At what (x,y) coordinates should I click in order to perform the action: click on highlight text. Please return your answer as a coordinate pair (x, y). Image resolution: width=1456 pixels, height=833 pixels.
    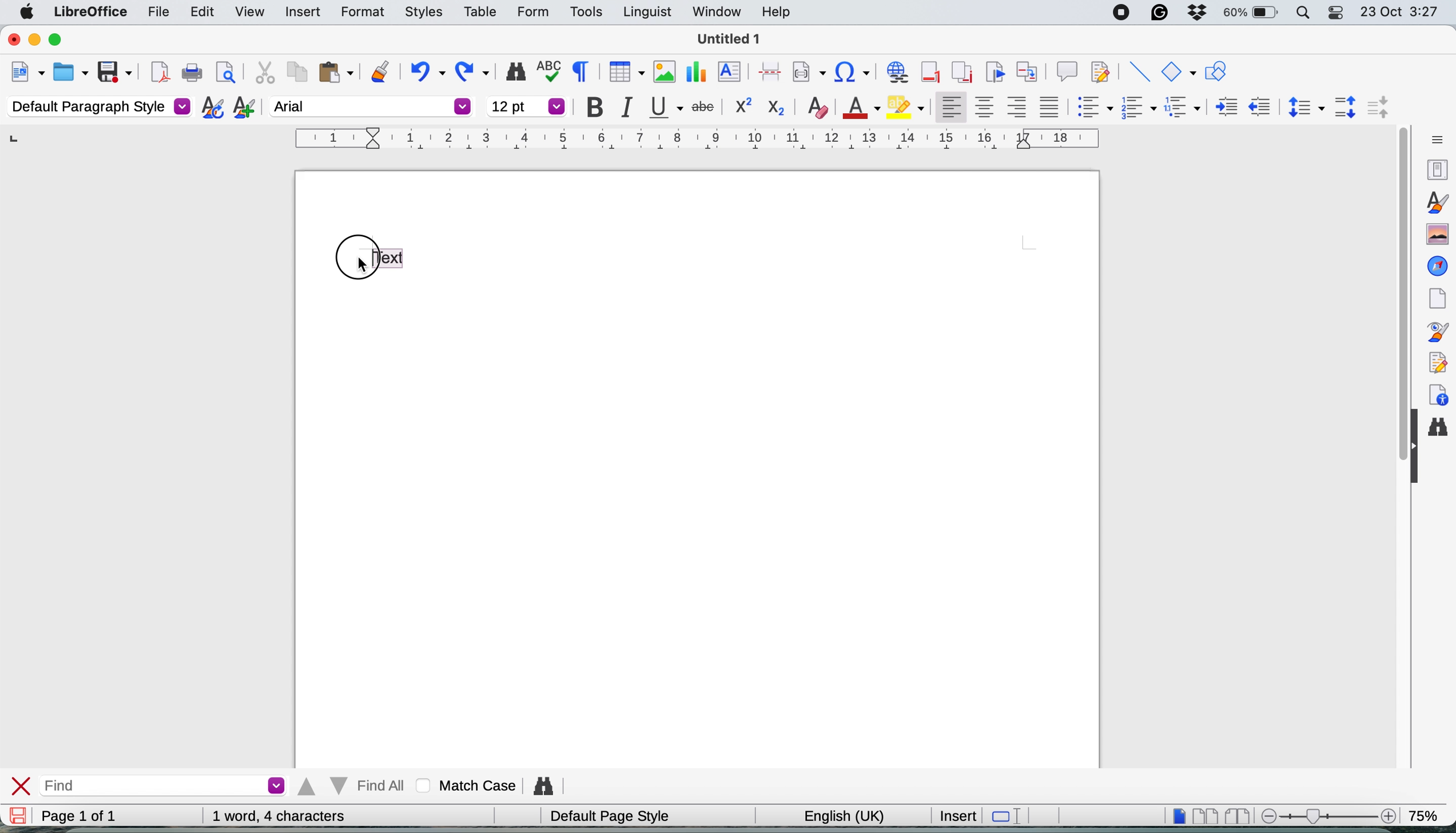
    Looking at the image, I should click on (390, 256).